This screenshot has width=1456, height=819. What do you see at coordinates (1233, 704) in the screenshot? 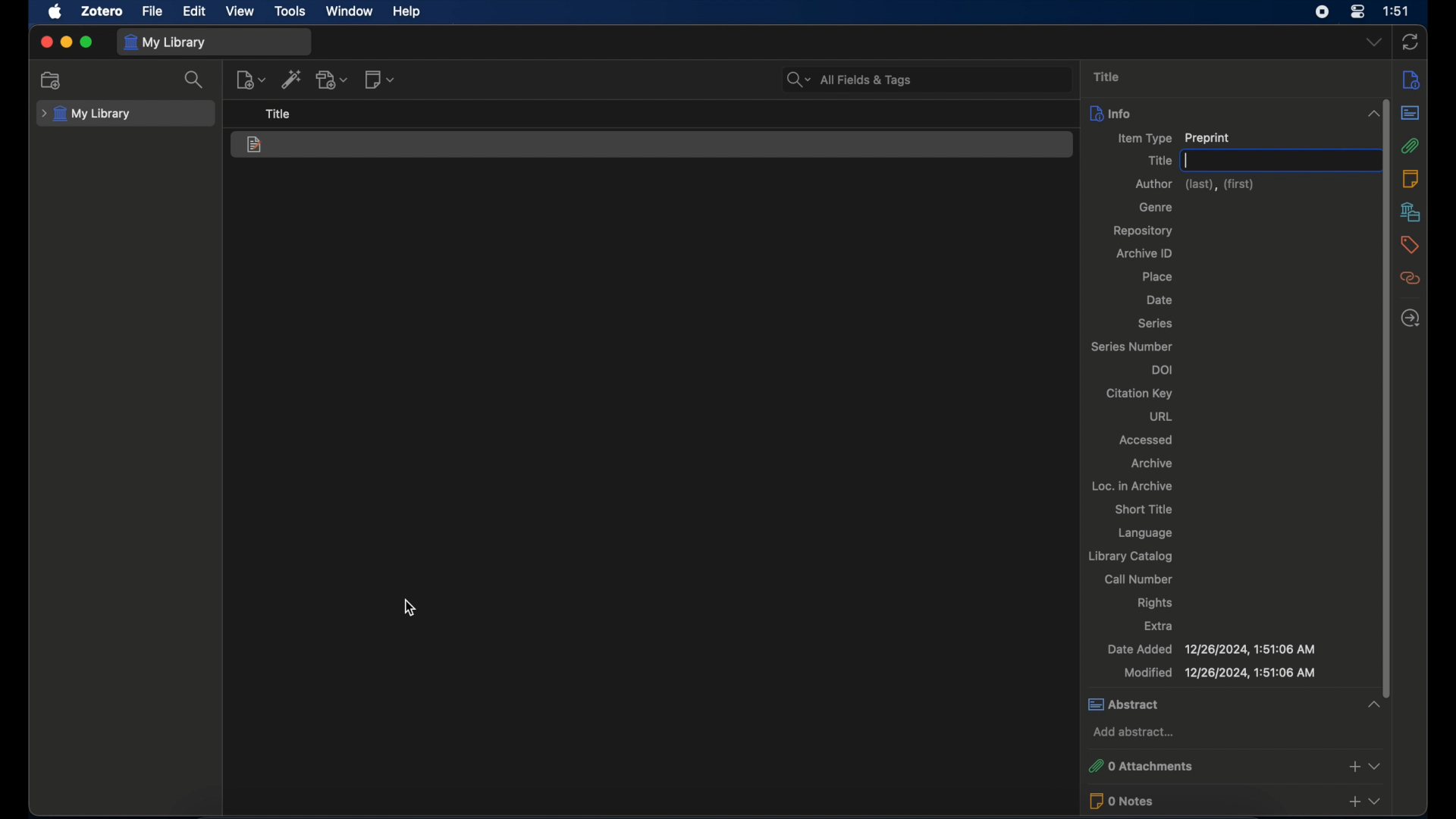
I see `abstract` at bounding box center [1233, 704].